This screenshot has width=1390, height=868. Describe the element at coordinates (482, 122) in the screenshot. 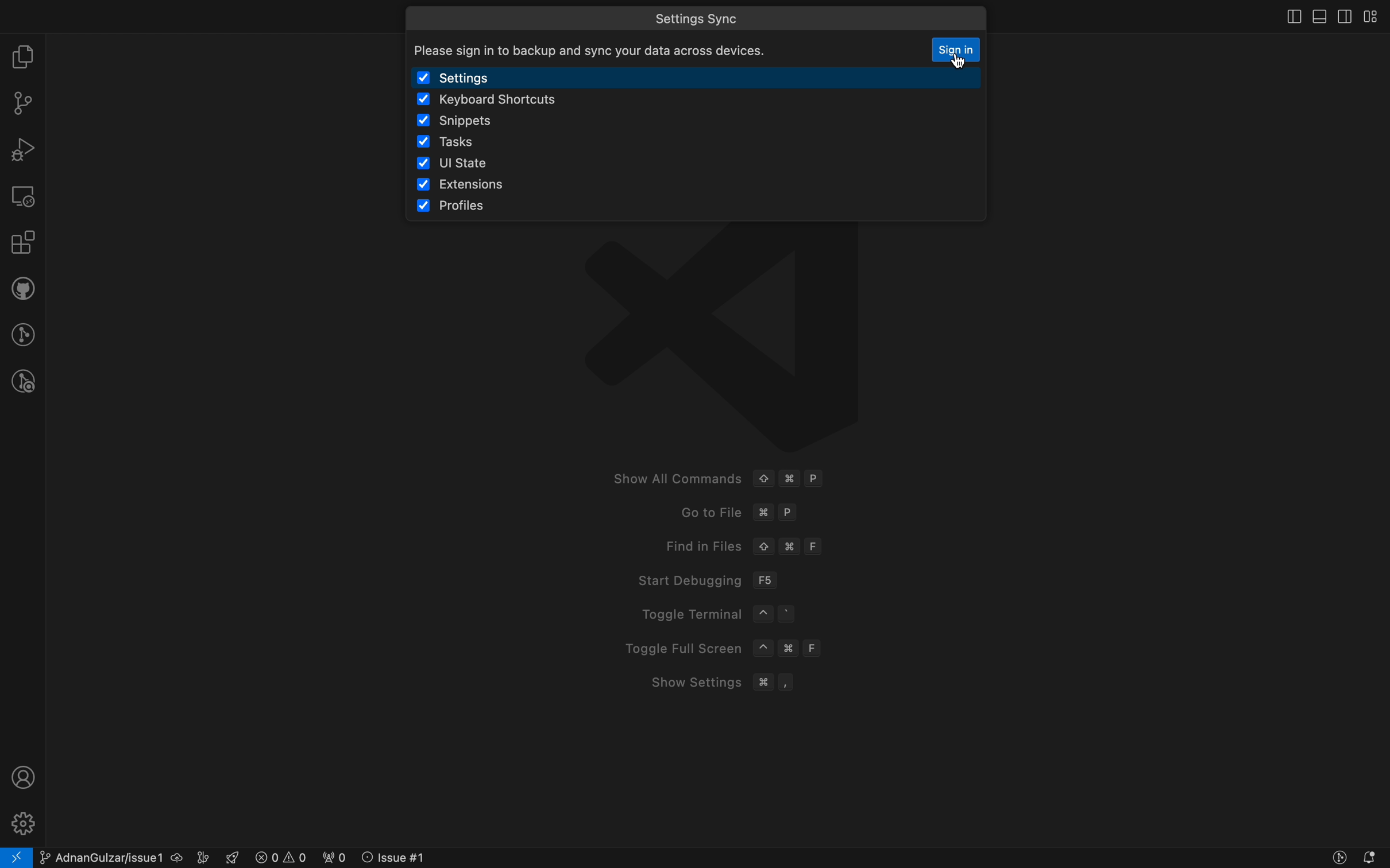

I see `snippets` at that location.